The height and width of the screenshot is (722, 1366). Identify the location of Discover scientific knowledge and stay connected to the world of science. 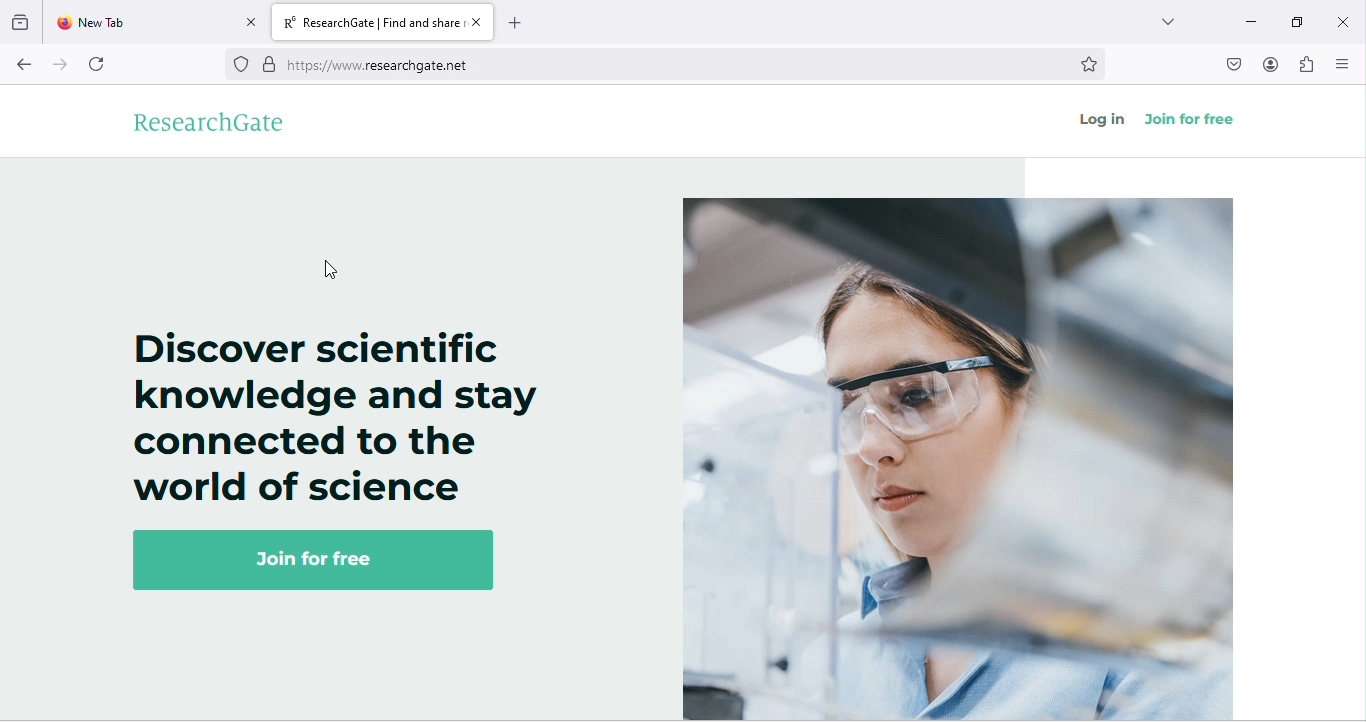
(330, 414).